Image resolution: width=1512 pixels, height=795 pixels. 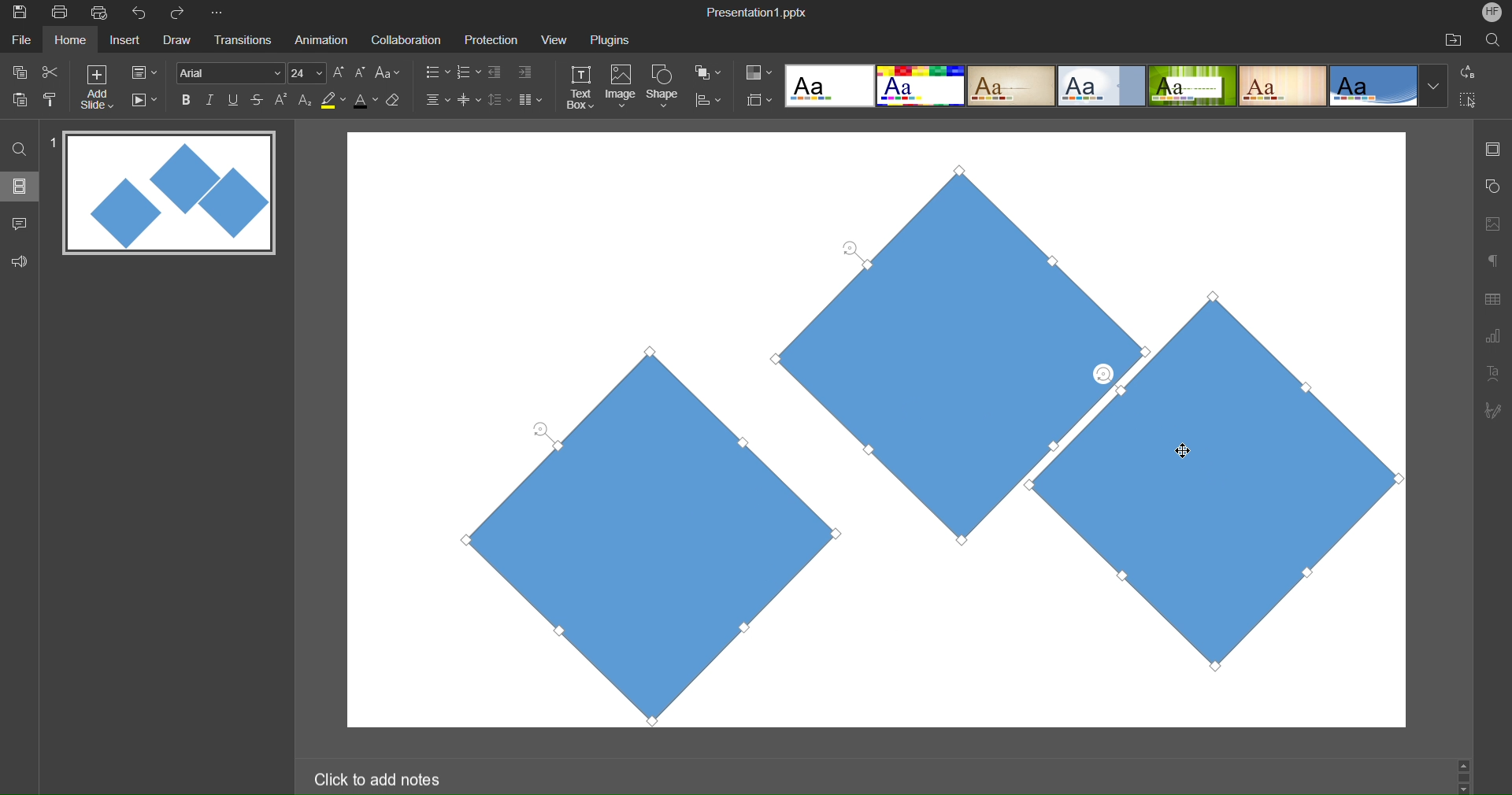 What do you see at coordinates (1463, 775) in the screenshot?
I see `scrollbar` at bounding box center [1463, 775].